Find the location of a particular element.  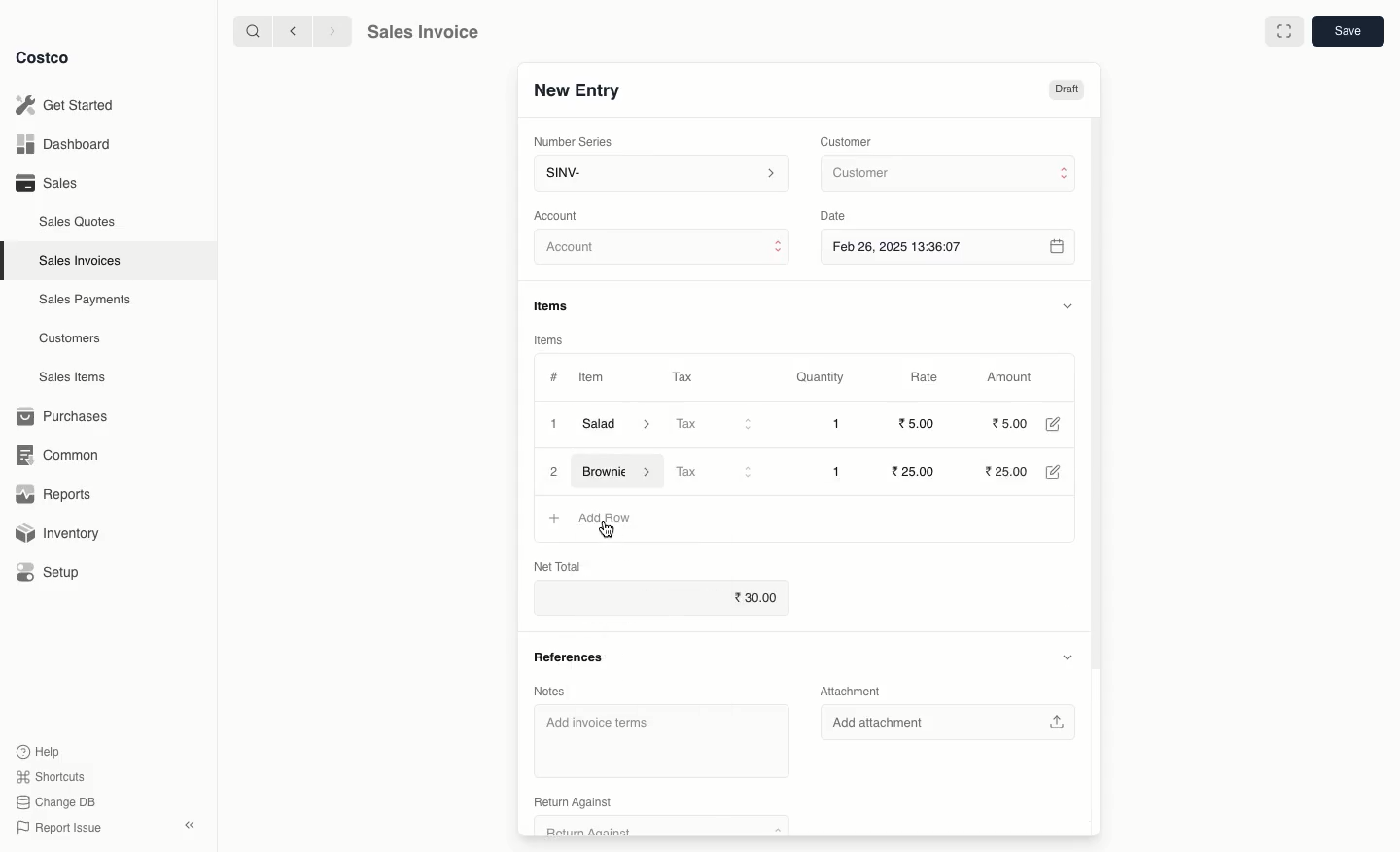

Help is located at coordinates (40, 750).